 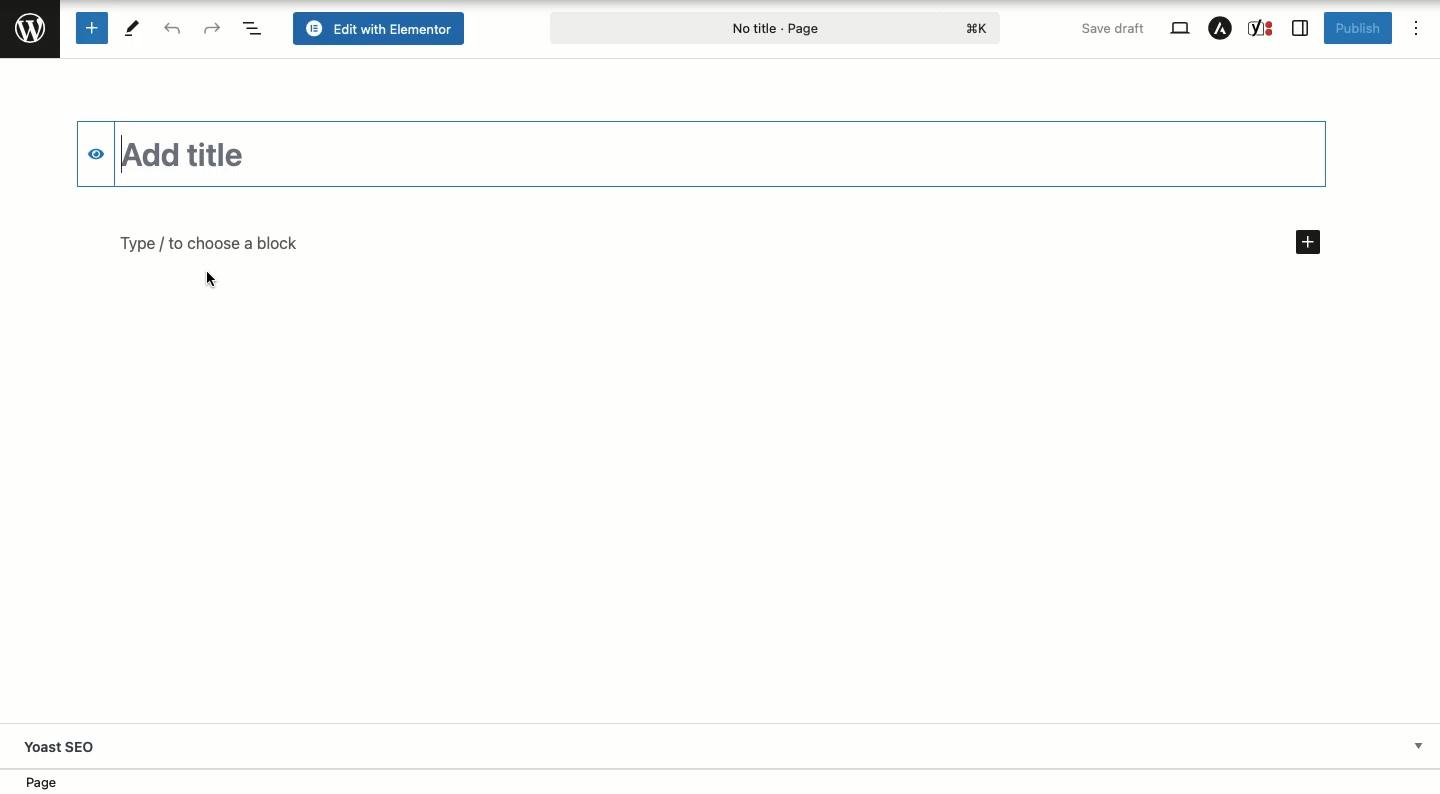 What do you see at coordinates (1261, 28) in the screenshot?
I see `Yoast` at bounding box center [1261, 28].